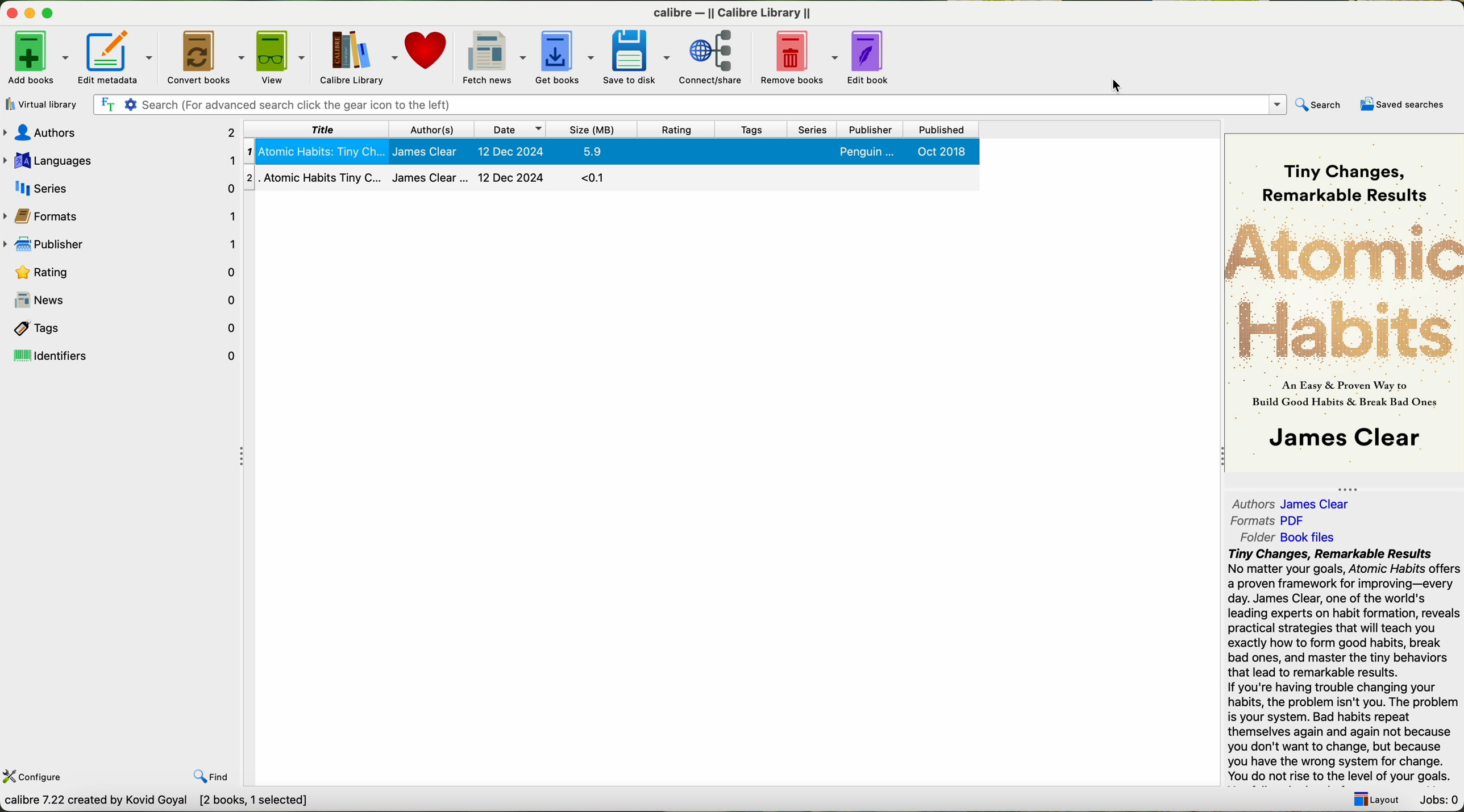 This screenshot has width=1464, height=812. Describe the element at coordinates (125, 357) in the screenshot. I see `identifiers` at that location.